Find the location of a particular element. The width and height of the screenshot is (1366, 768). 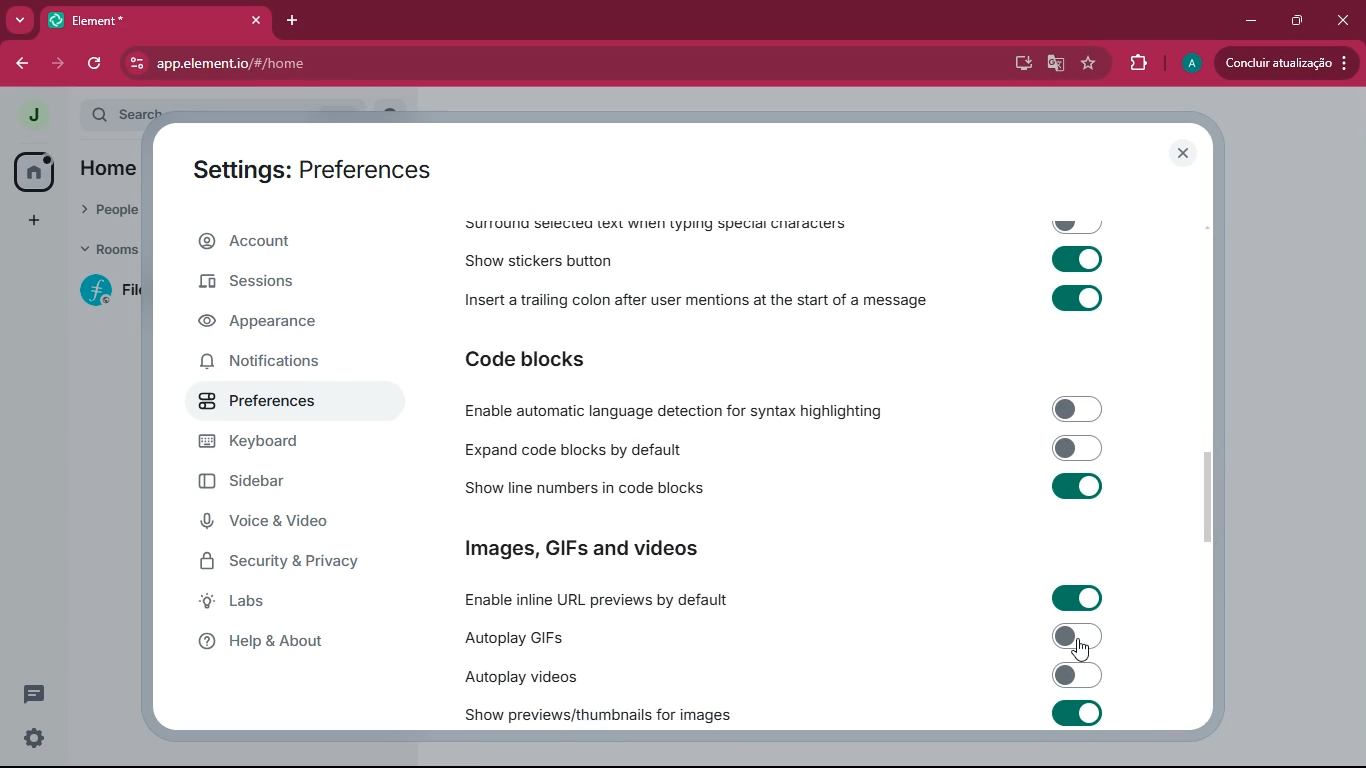

refersh is located at coordinates (96, 63).